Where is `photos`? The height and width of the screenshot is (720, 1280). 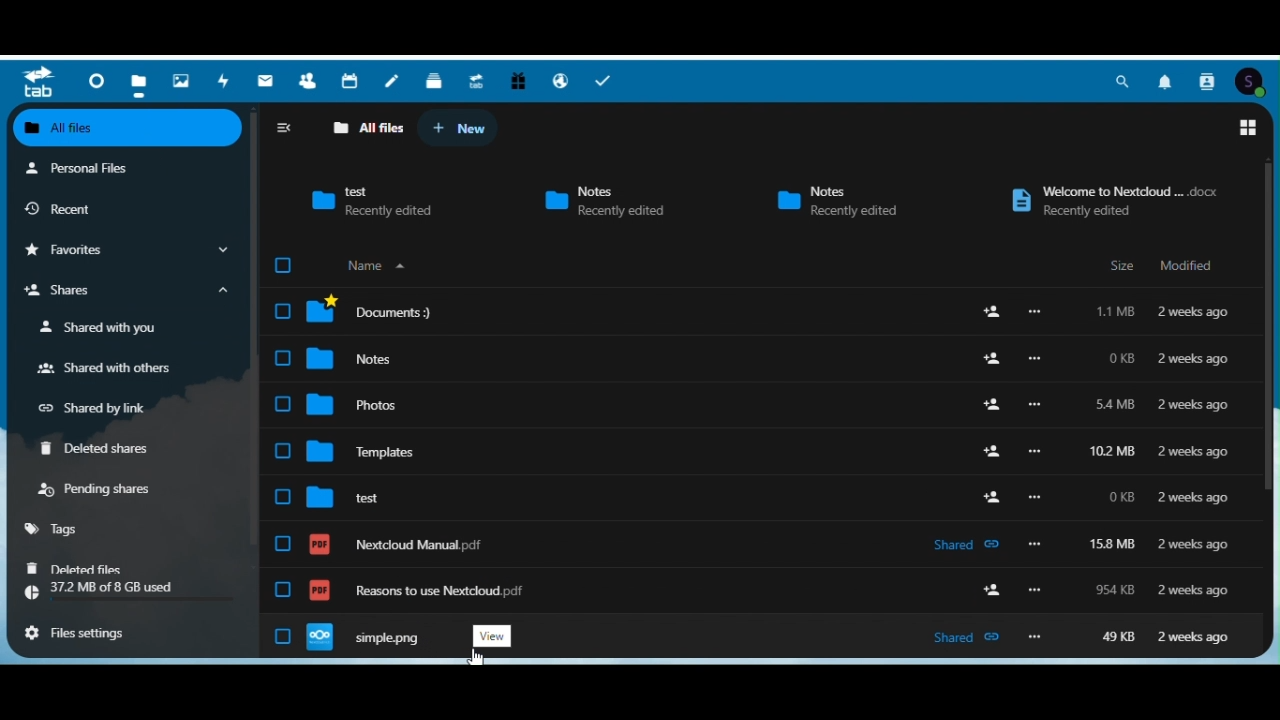 photos is located at coordinates (353, 404).